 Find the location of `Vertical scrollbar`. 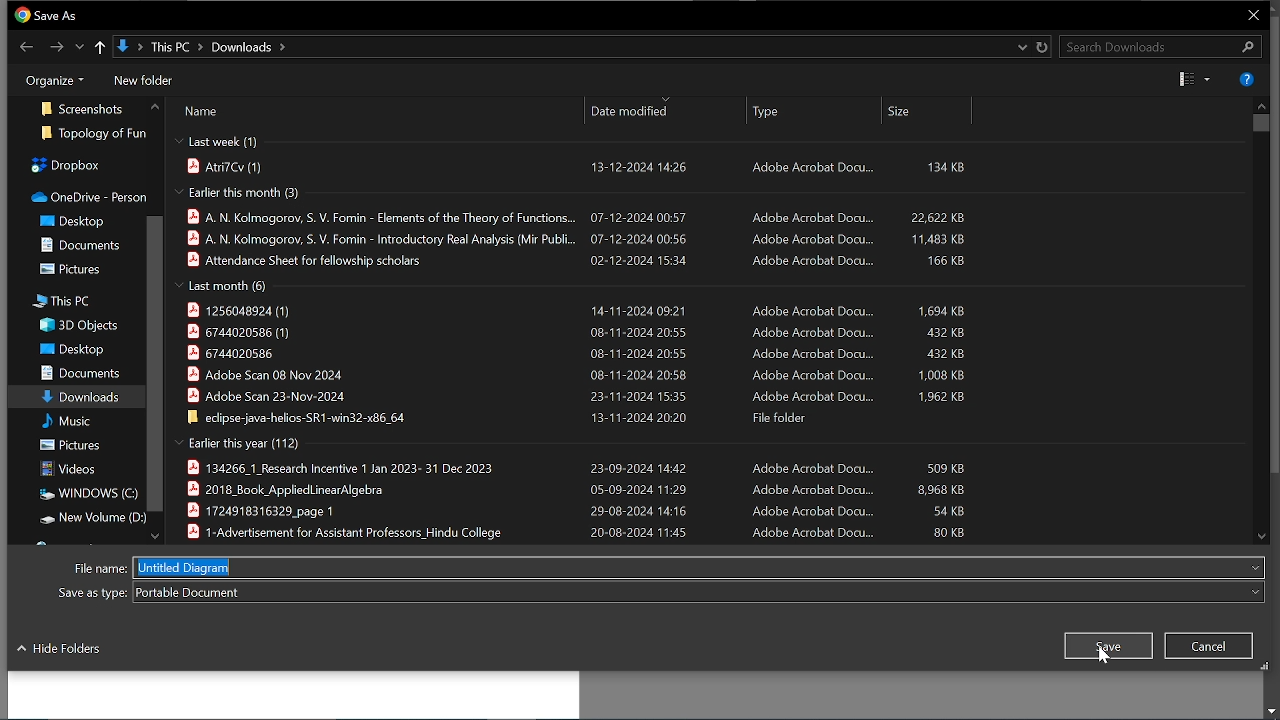

Vertical scrollbar is located at coordinates (155, 360).